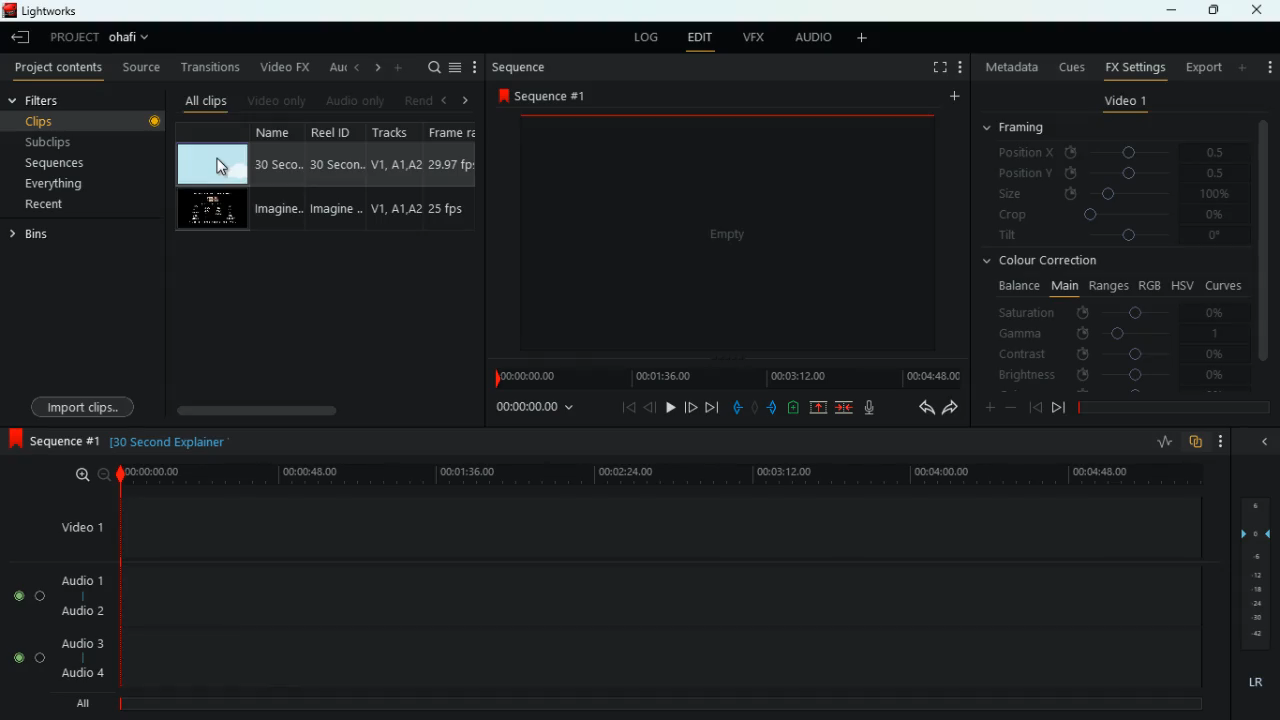  What do you see at coordinates (868, 409) in the screenshot?
I see `mic` at bounding box center [868, 409].